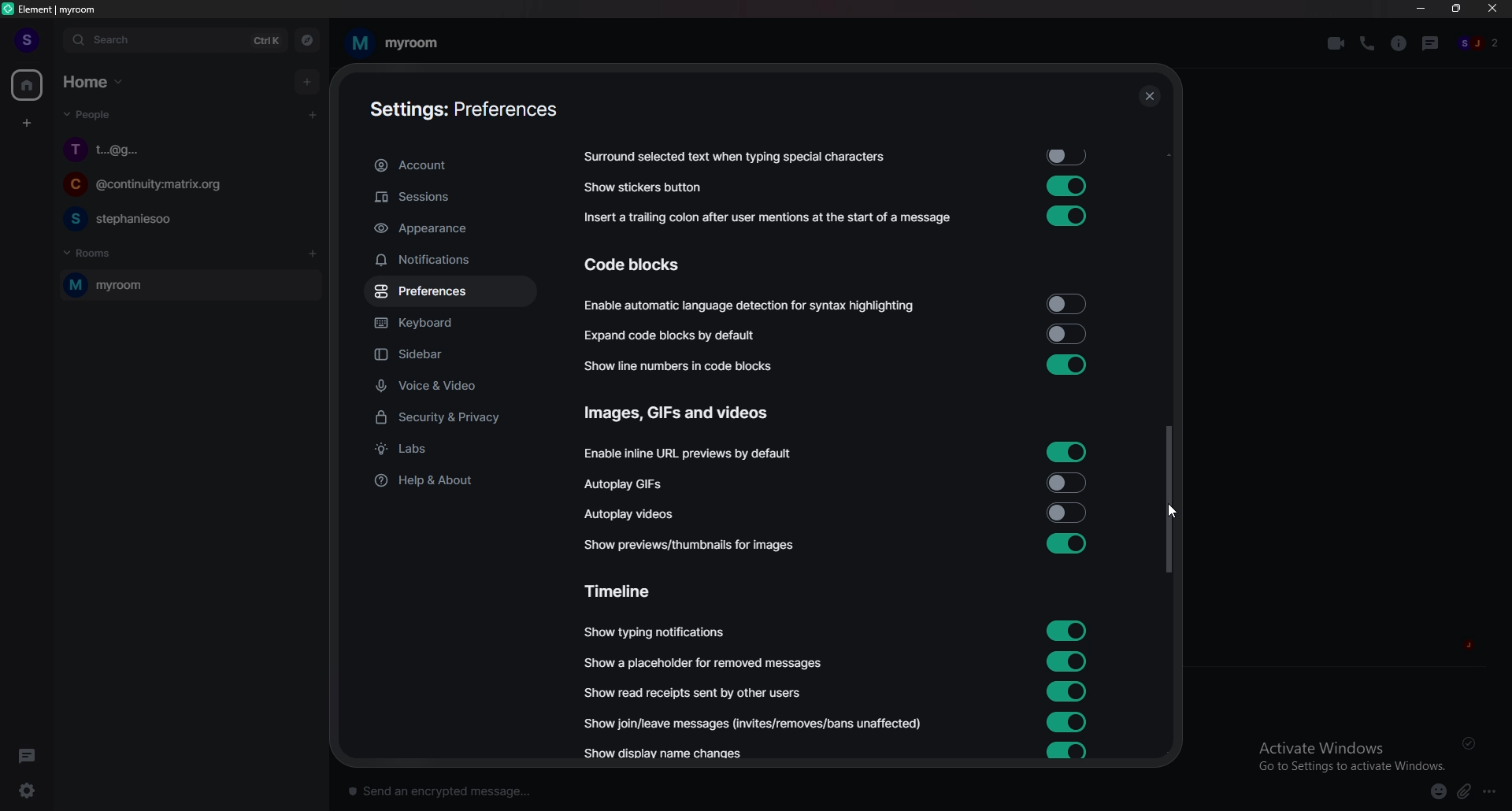  Describe the element at coordinates (1064, 334) in the screenshot. I see `toggle` at that location.